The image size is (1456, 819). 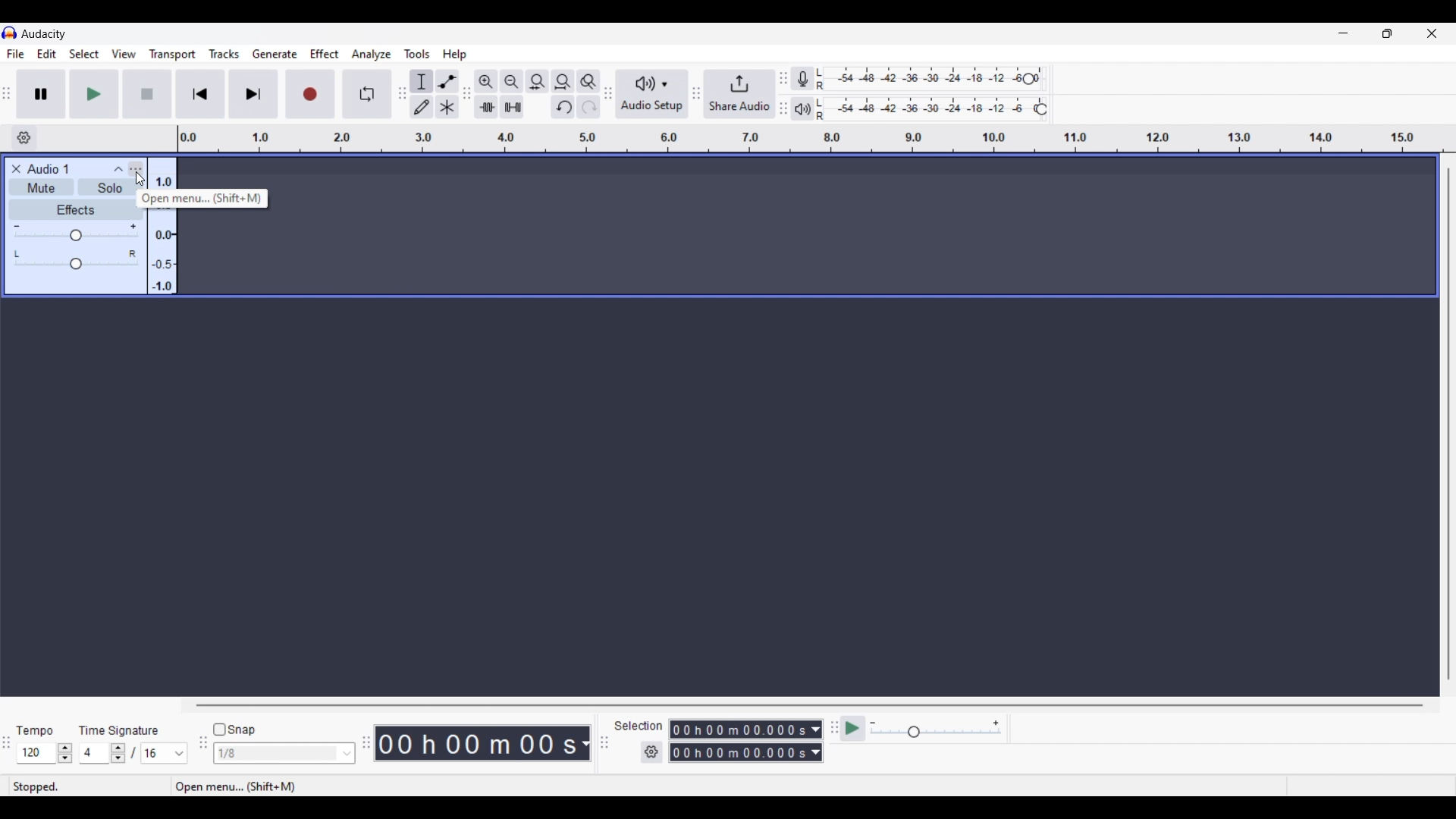 I want to click on Tools menu, so click(x=417, y=54).